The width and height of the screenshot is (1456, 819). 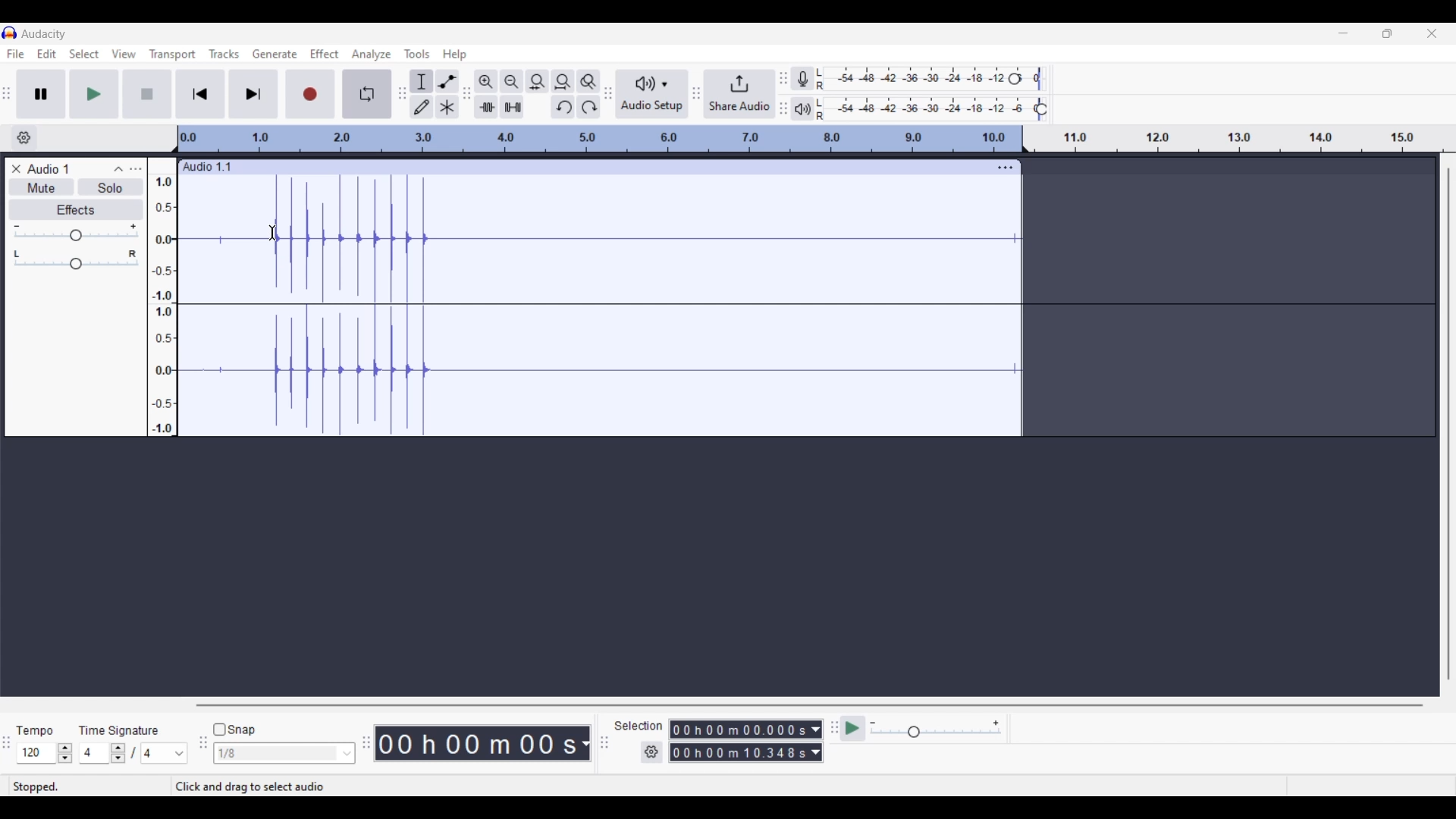 What do you see at coordinates (133, 254) in the screenshot?
I see `Pan to right` at bounding box center [133, 254].